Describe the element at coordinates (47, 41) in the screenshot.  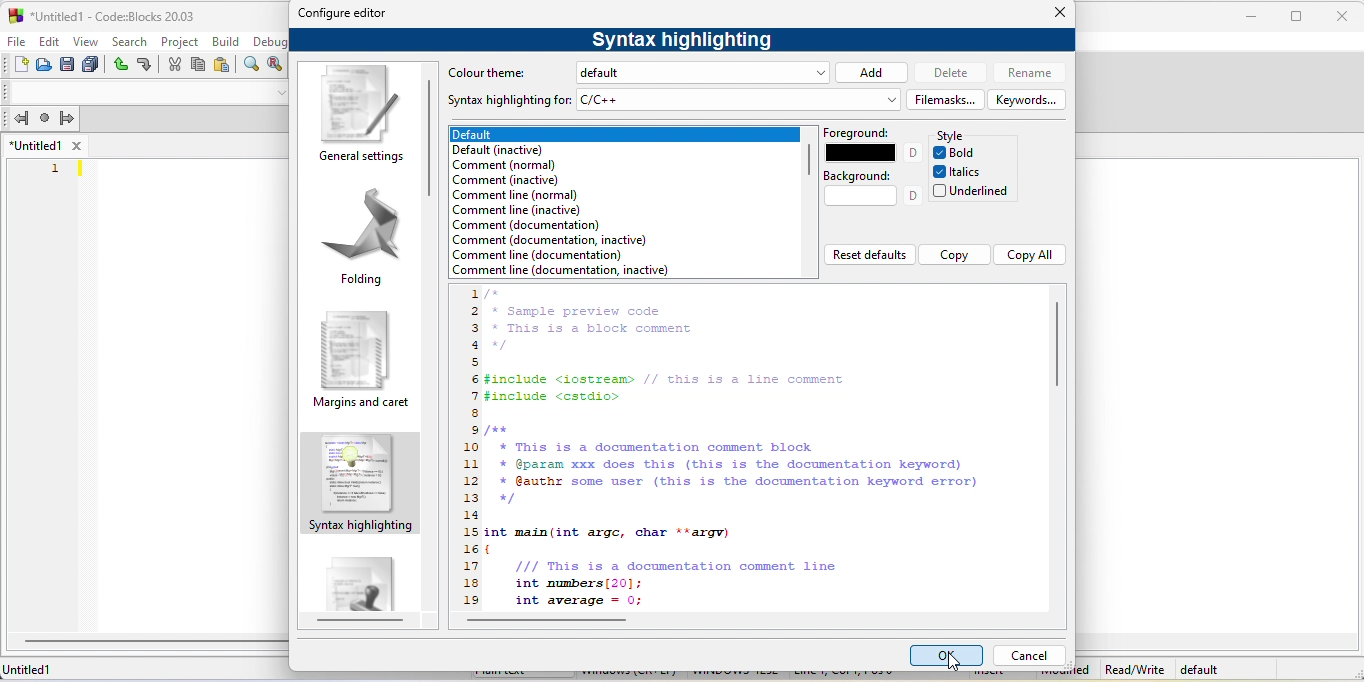
I see `edit` at that location.